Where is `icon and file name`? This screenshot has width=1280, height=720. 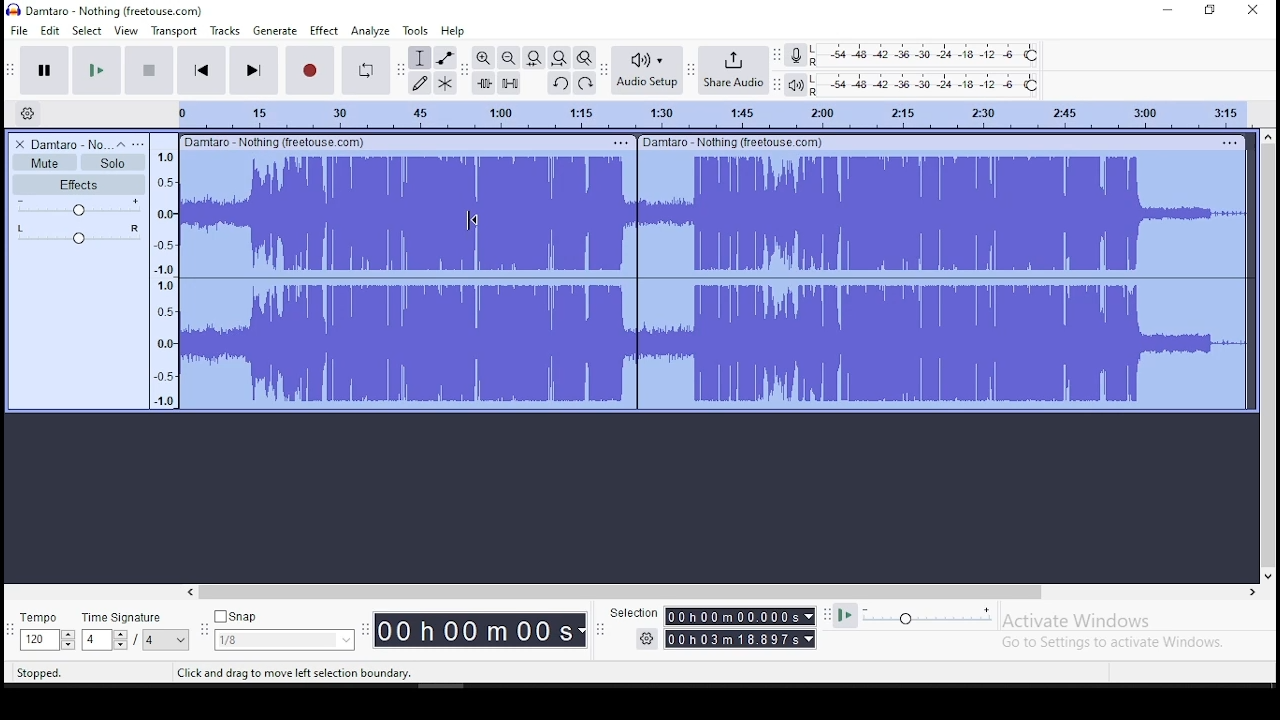 icon and file name is located at coordinates (107, 10).